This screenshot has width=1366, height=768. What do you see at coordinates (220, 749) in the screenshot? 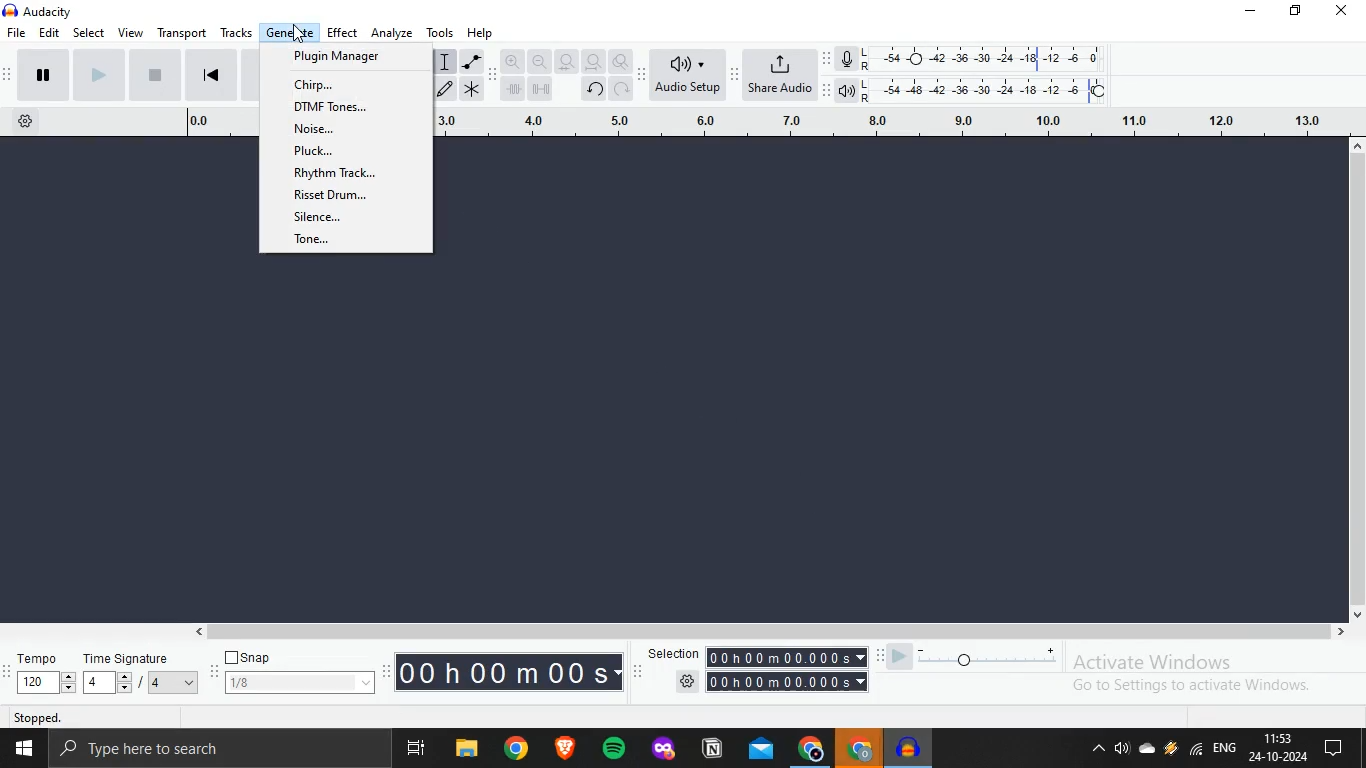
I see `Search bar` at bounding box center [220, 749].